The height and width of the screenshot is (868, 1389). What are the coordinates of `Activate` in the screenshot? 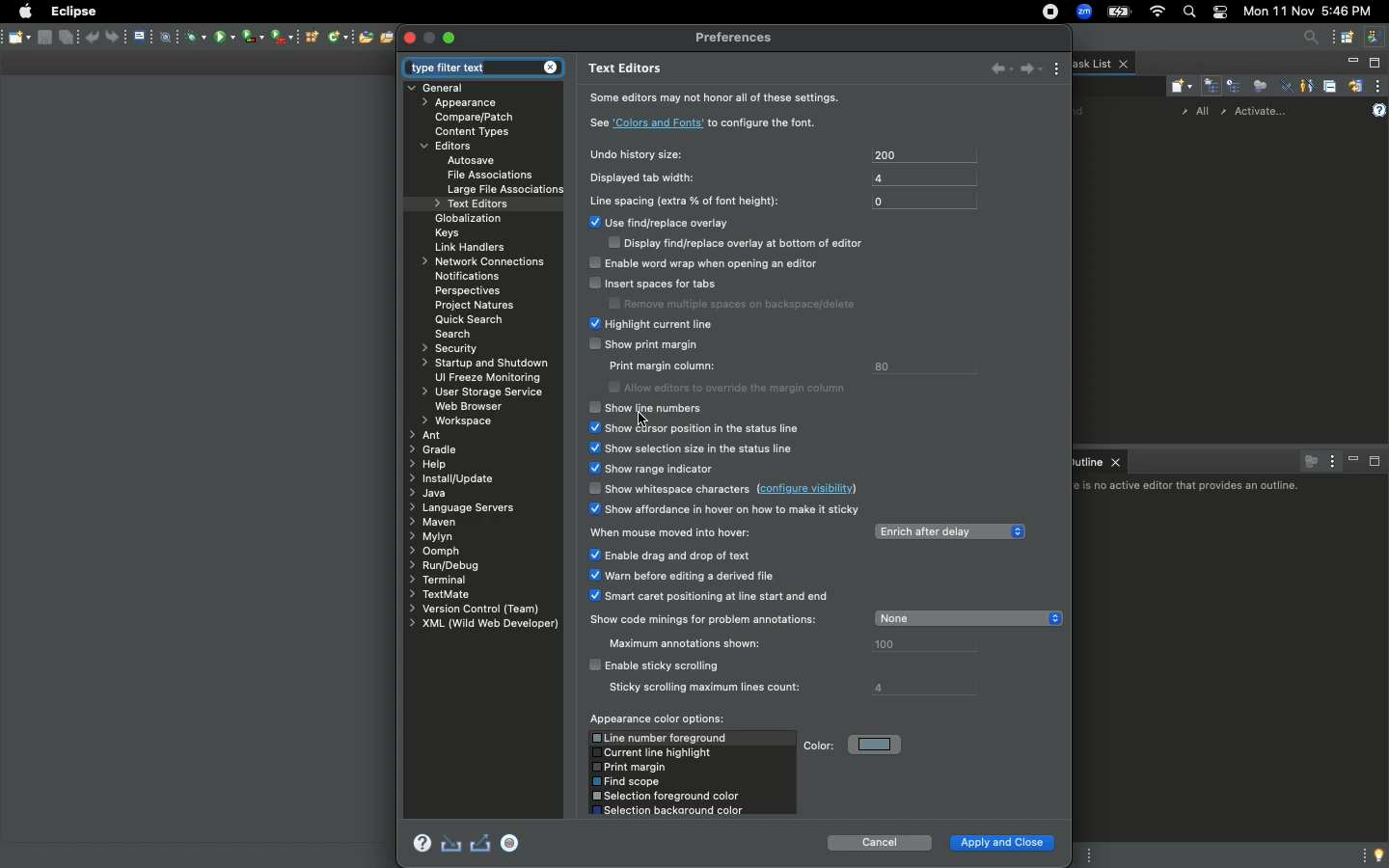 It's located at (1267, 108).